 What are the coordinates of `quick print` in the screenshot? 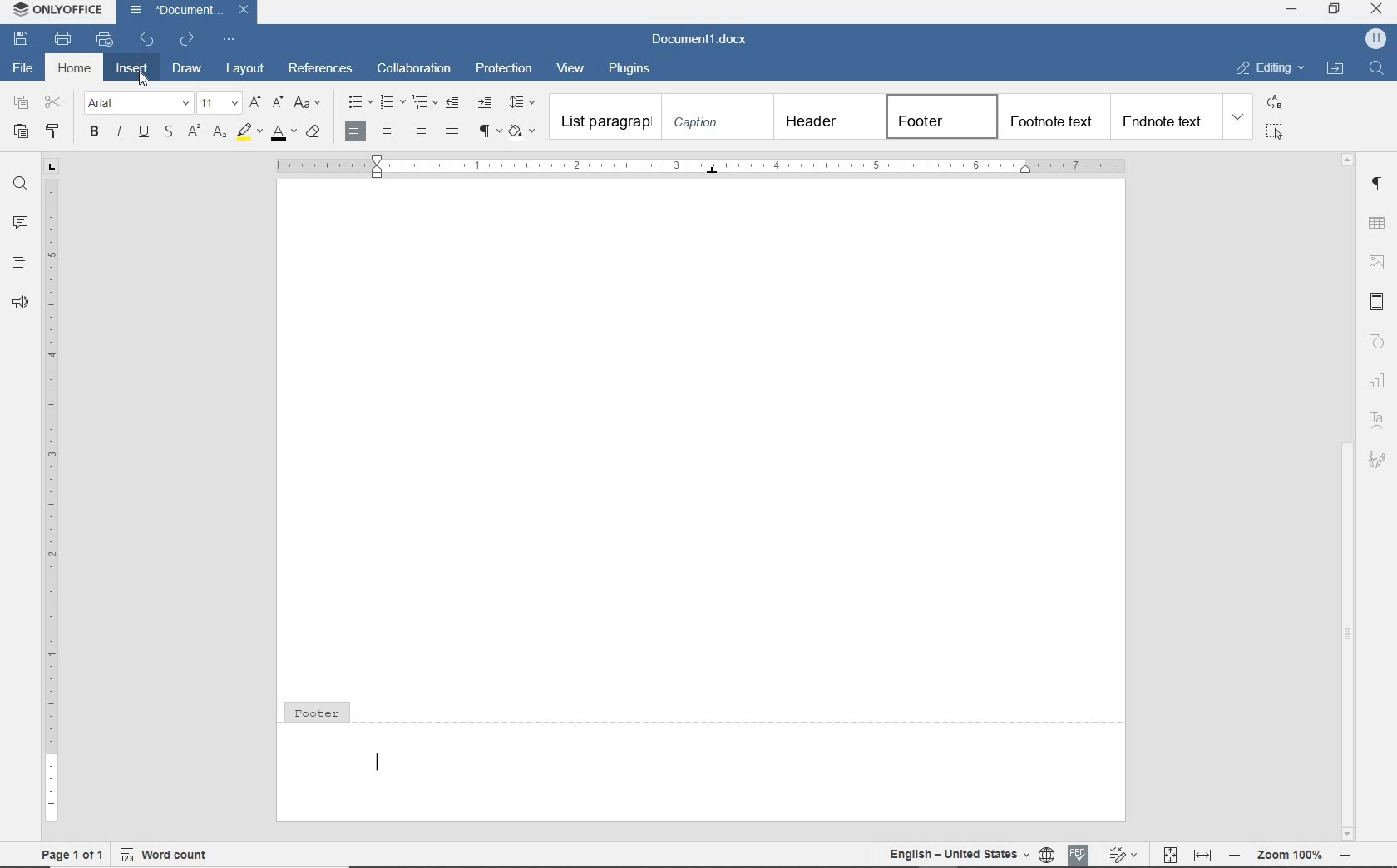 It's located at (106, 41).